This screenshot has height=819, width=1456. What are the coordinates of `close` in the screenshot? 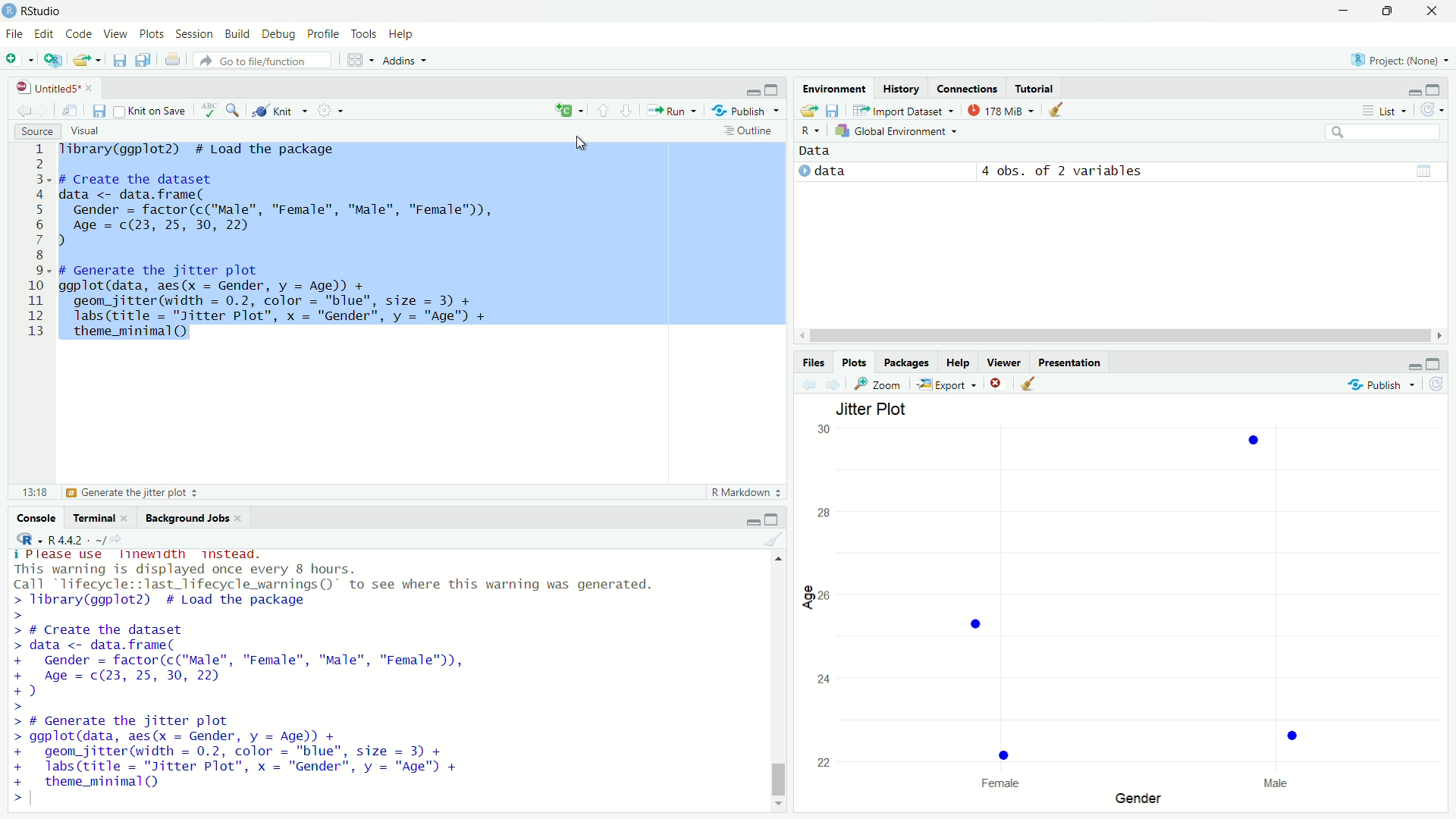 It's located at (1436, 11).